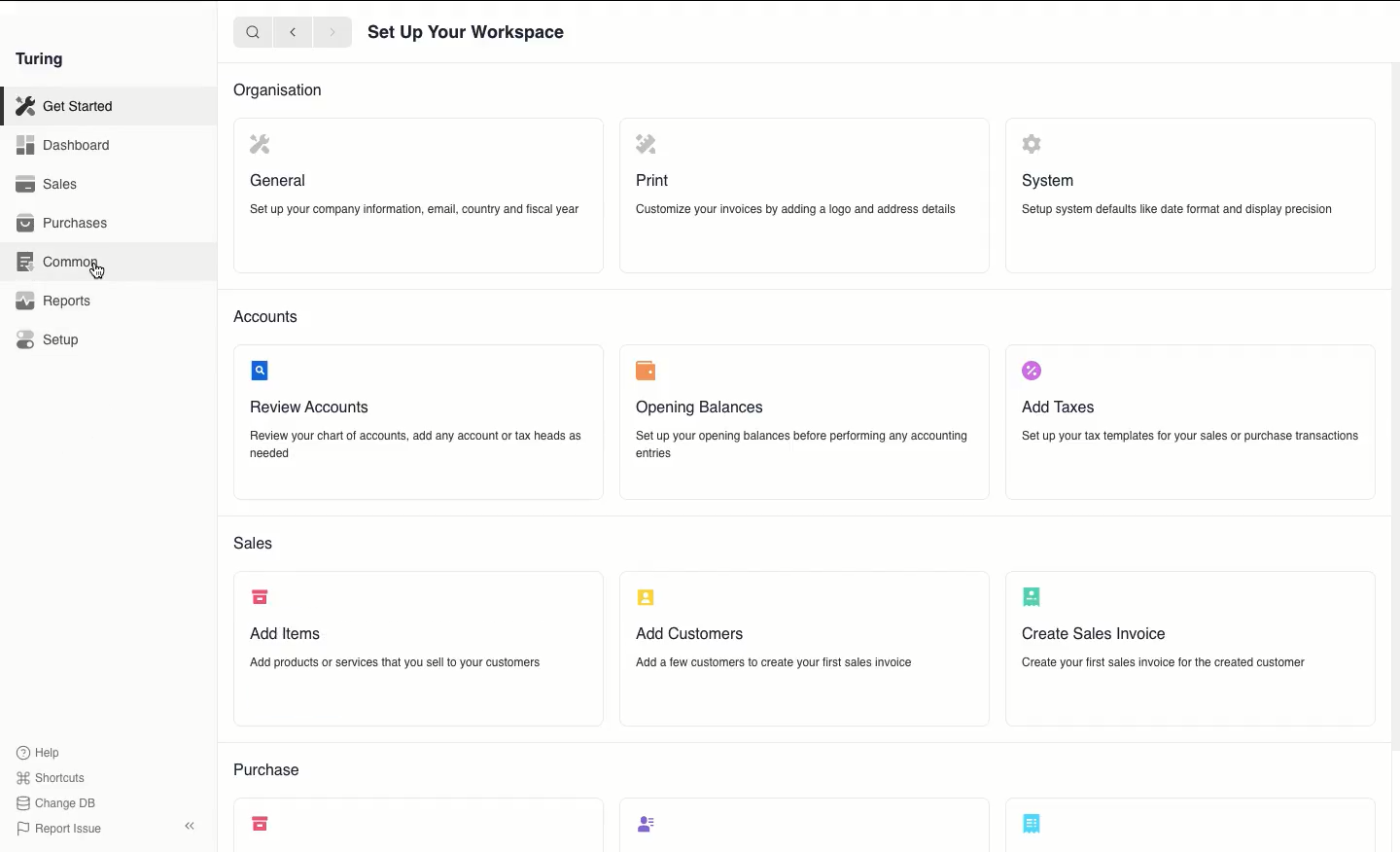 This screenshot has height=852, width=1400. Describe the element at coordinates (278, 91) in the screenshot. I see `Organisation` at that location.